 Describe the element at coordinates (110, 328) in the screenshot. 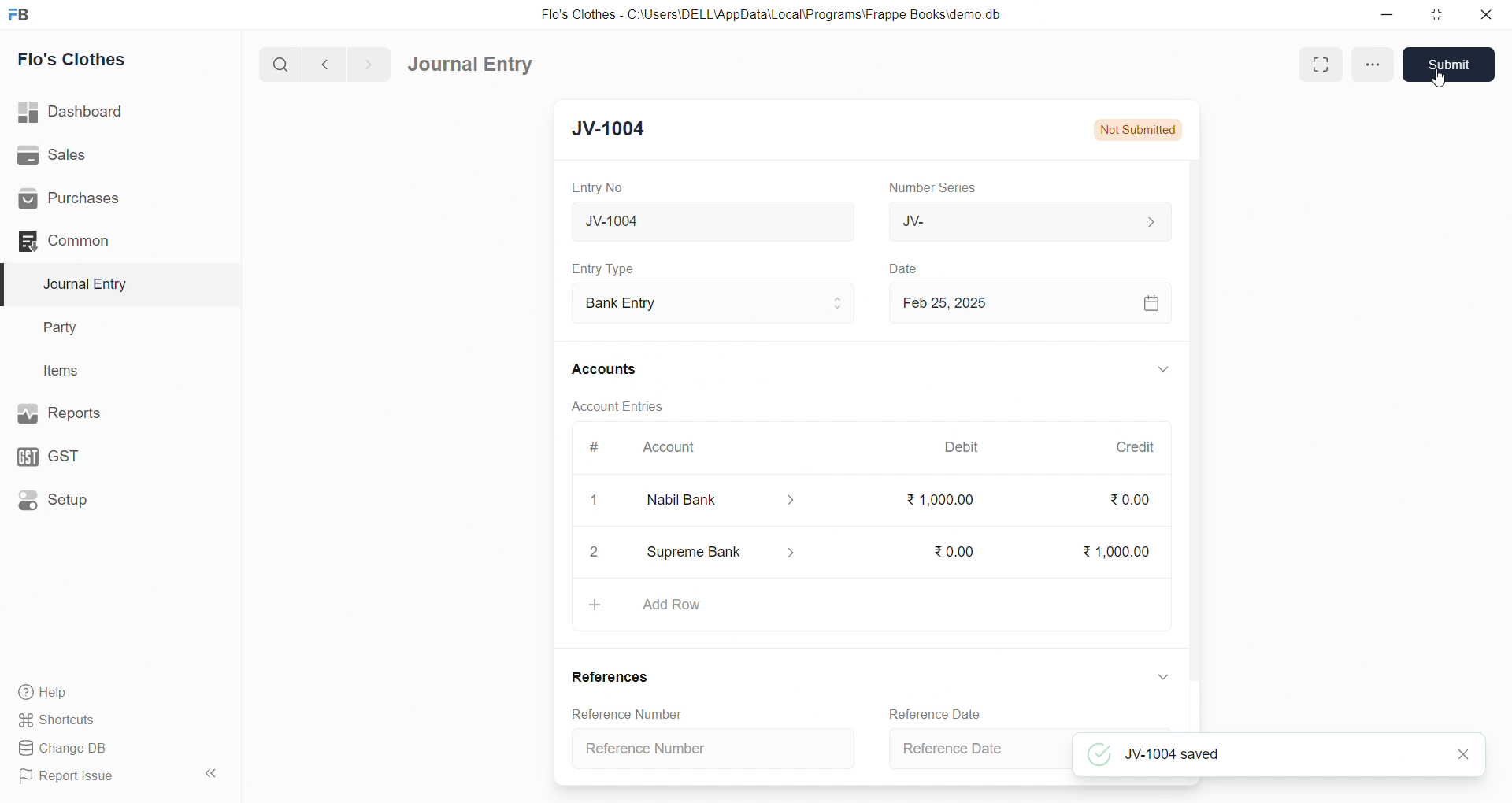

I see `Party` at that location.